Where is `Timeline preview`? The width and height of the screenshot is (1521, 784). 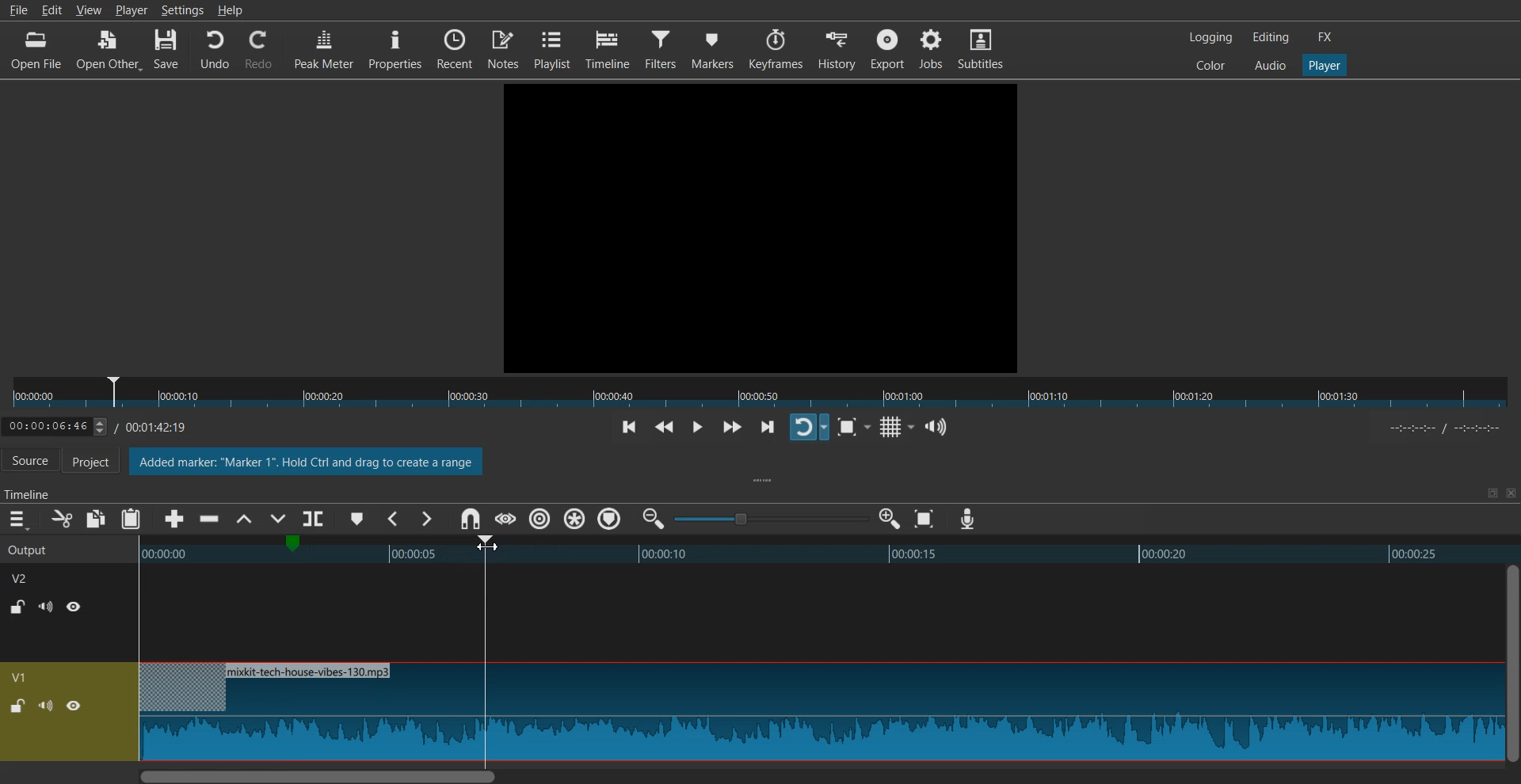
Timeline preview is located at coordinates (817, 552).